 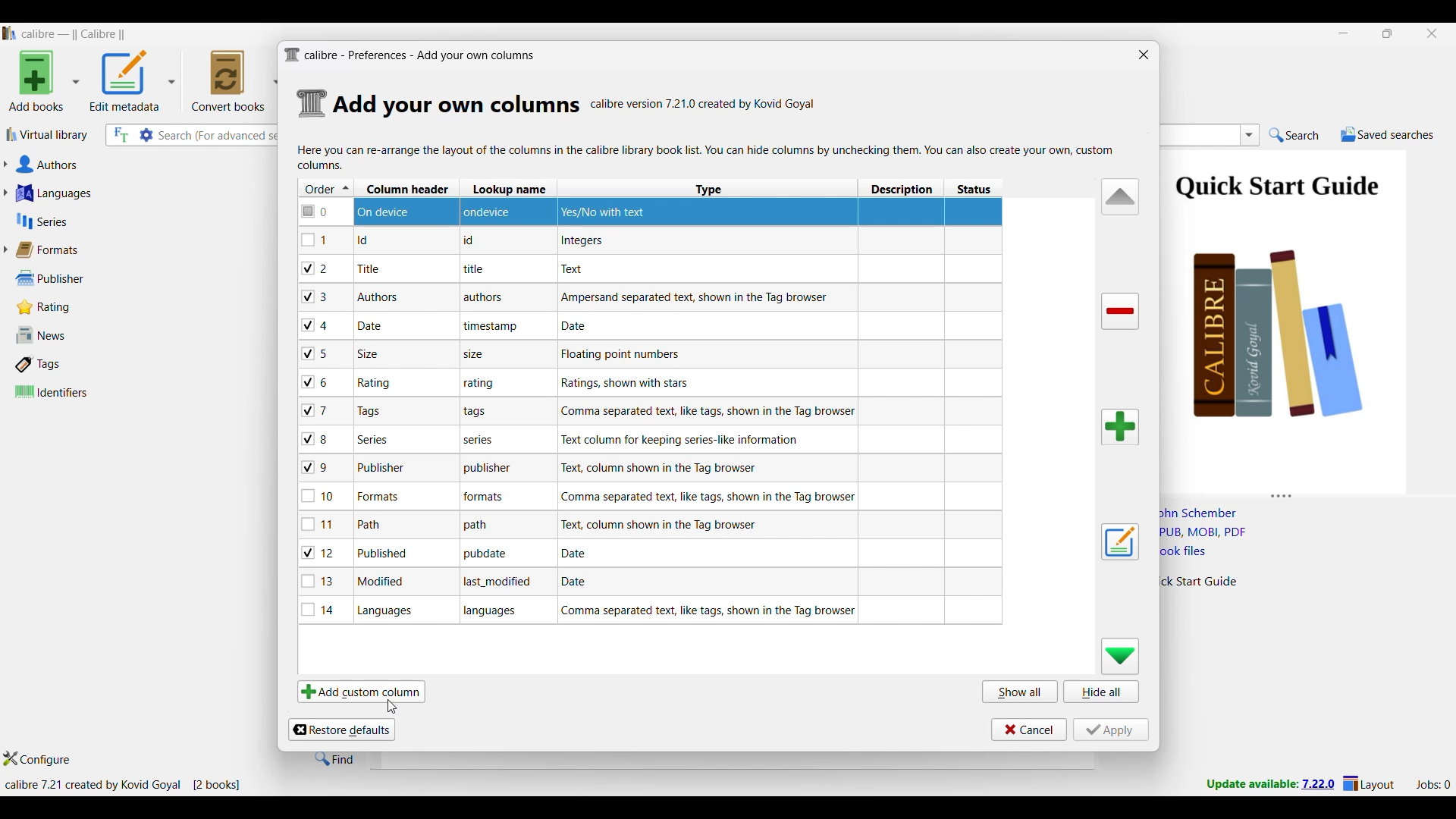 I want to click on Description of current window, so click(x=707, y=157).